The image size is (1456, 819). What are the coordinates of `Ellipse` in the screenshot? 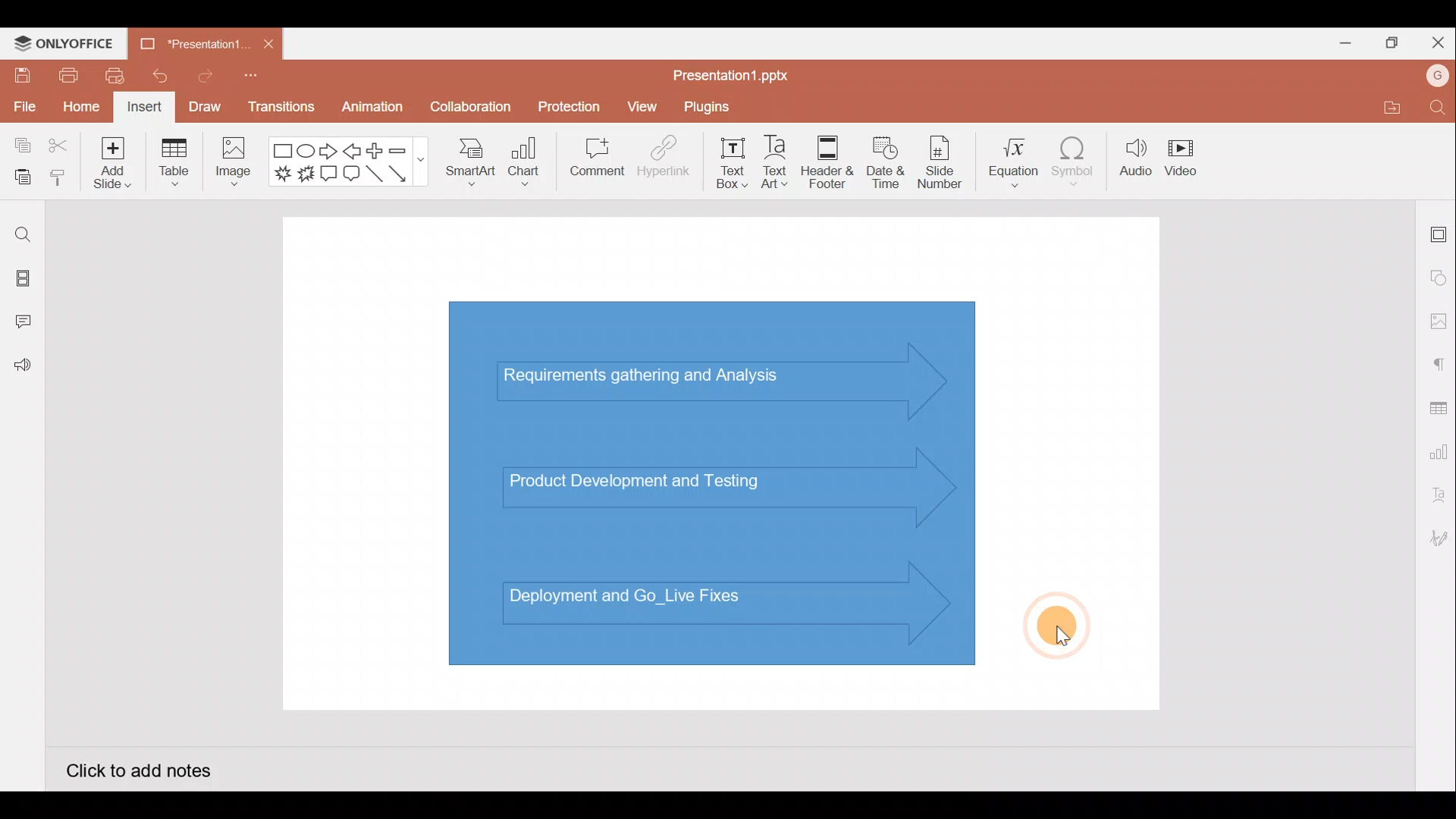 It's located at (308, 150).